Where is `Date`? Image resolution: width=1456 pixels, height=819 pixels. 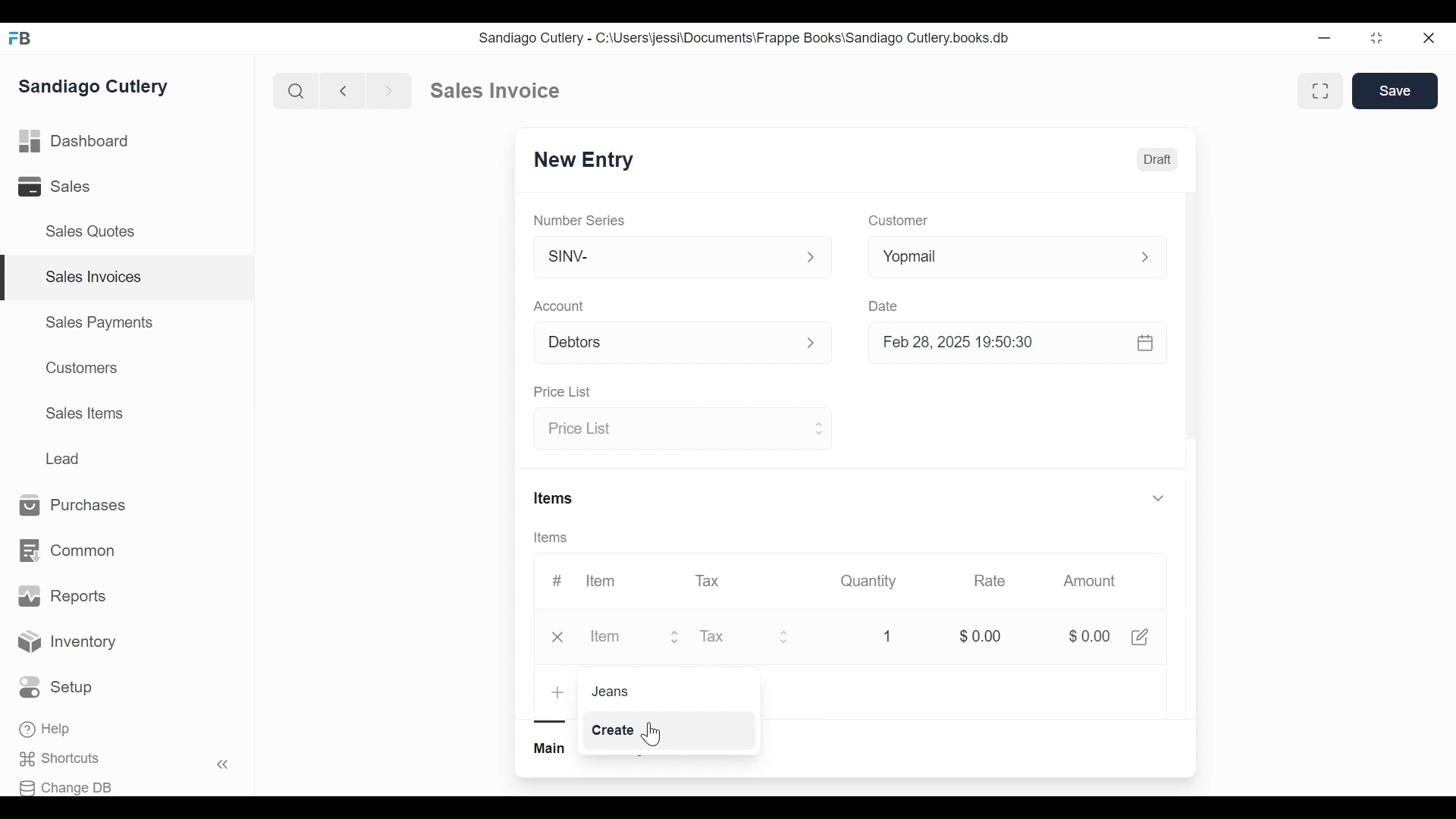 Date is located at coordinates (886, 306).